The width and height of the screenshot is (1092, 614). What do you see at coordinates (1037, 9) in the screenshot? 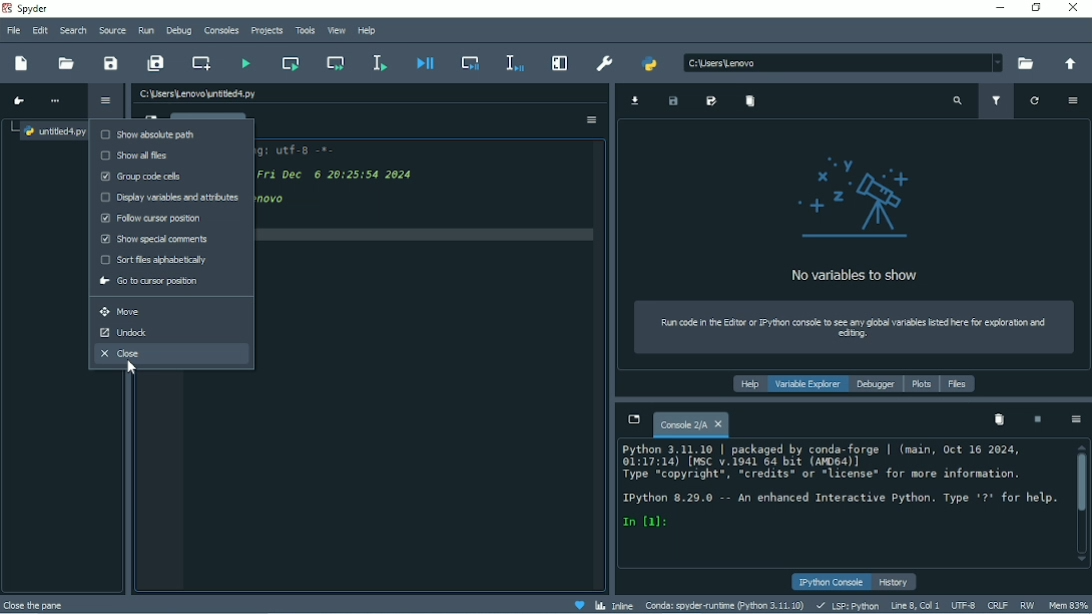
I see `Restore down` at bounding box center [1037, 9].